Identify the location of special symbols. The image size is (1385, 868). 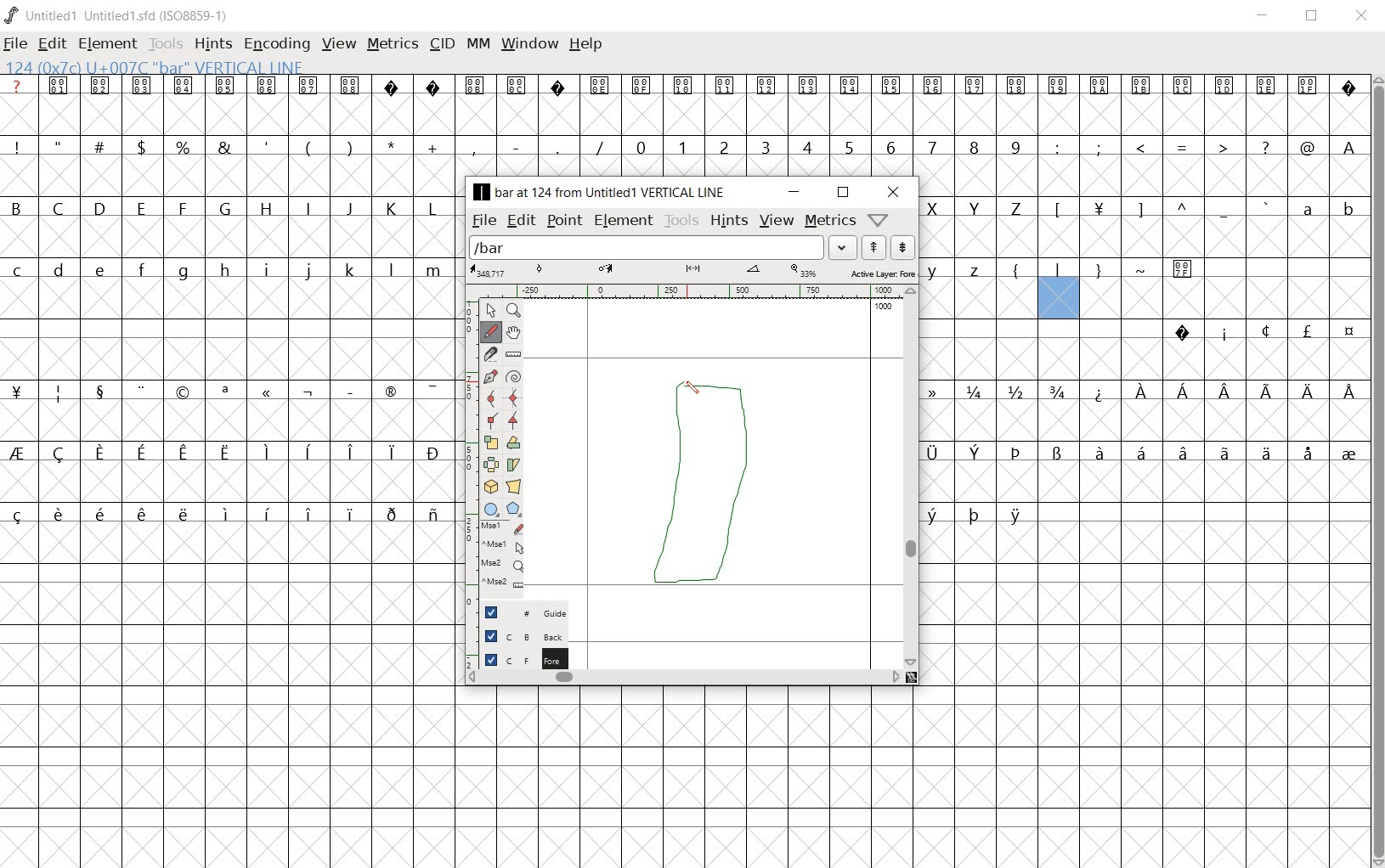
(685, 86).